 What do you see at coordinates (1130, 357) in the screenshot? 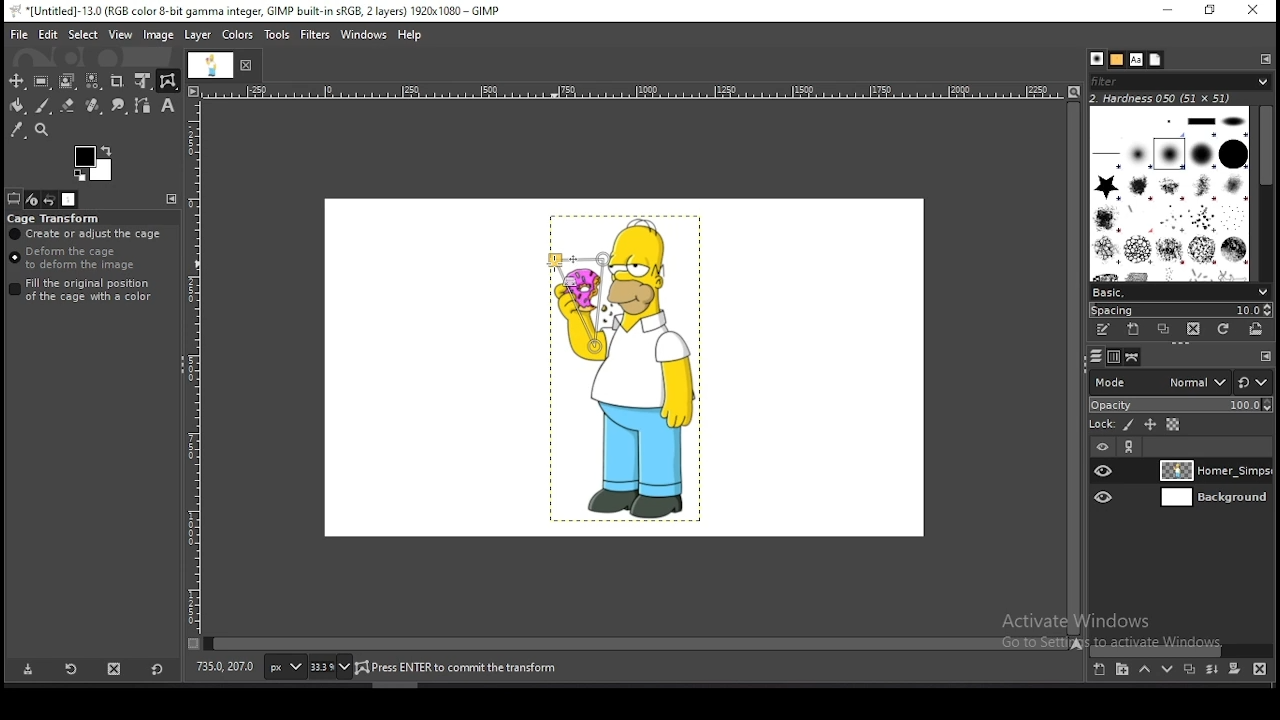
I see `paths` at bounding box center [1130, 357].